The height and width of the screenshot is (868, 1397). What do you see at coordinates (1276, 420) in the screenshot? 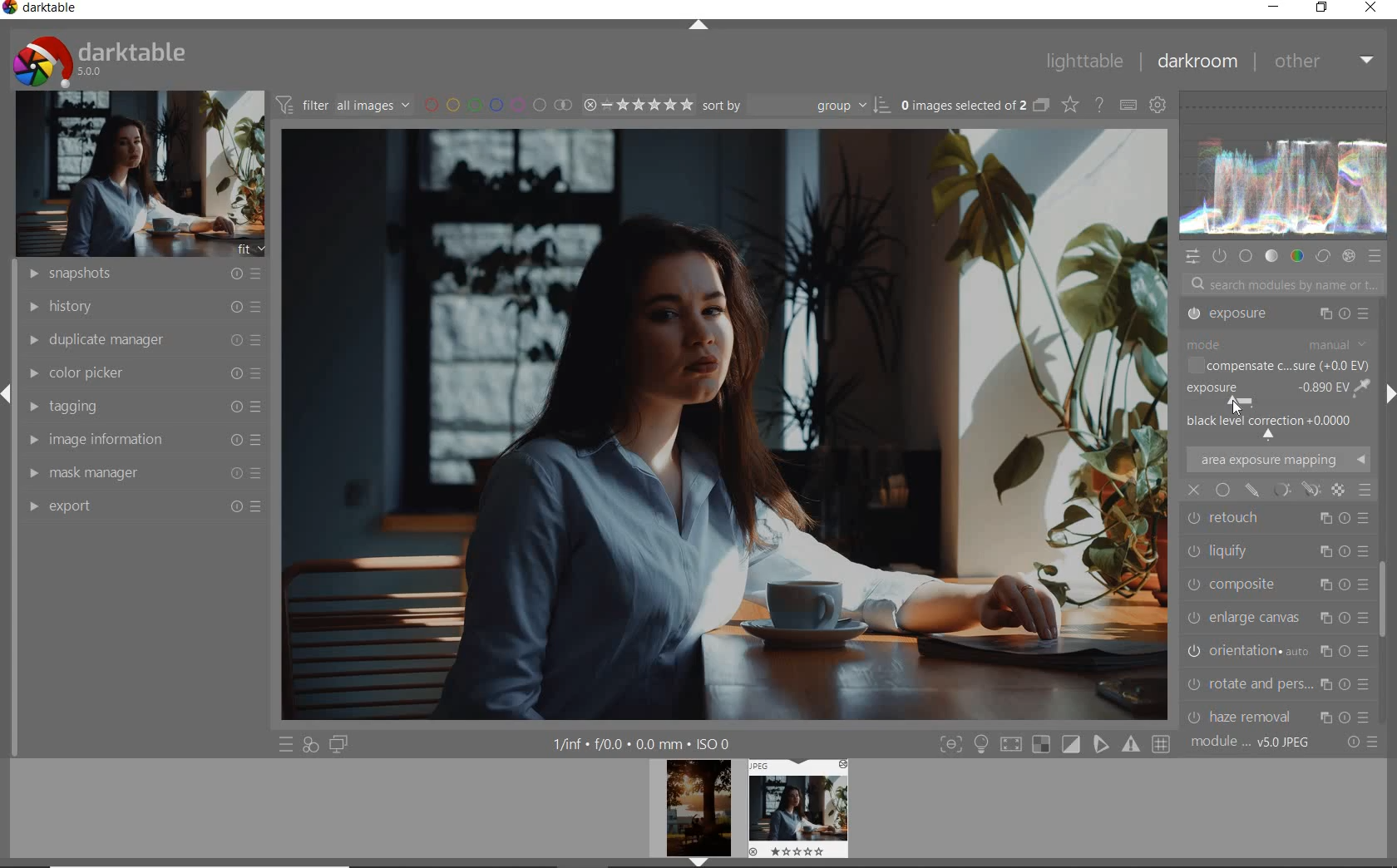
I see `RETOUCH` at bounding box center [1276, 420].